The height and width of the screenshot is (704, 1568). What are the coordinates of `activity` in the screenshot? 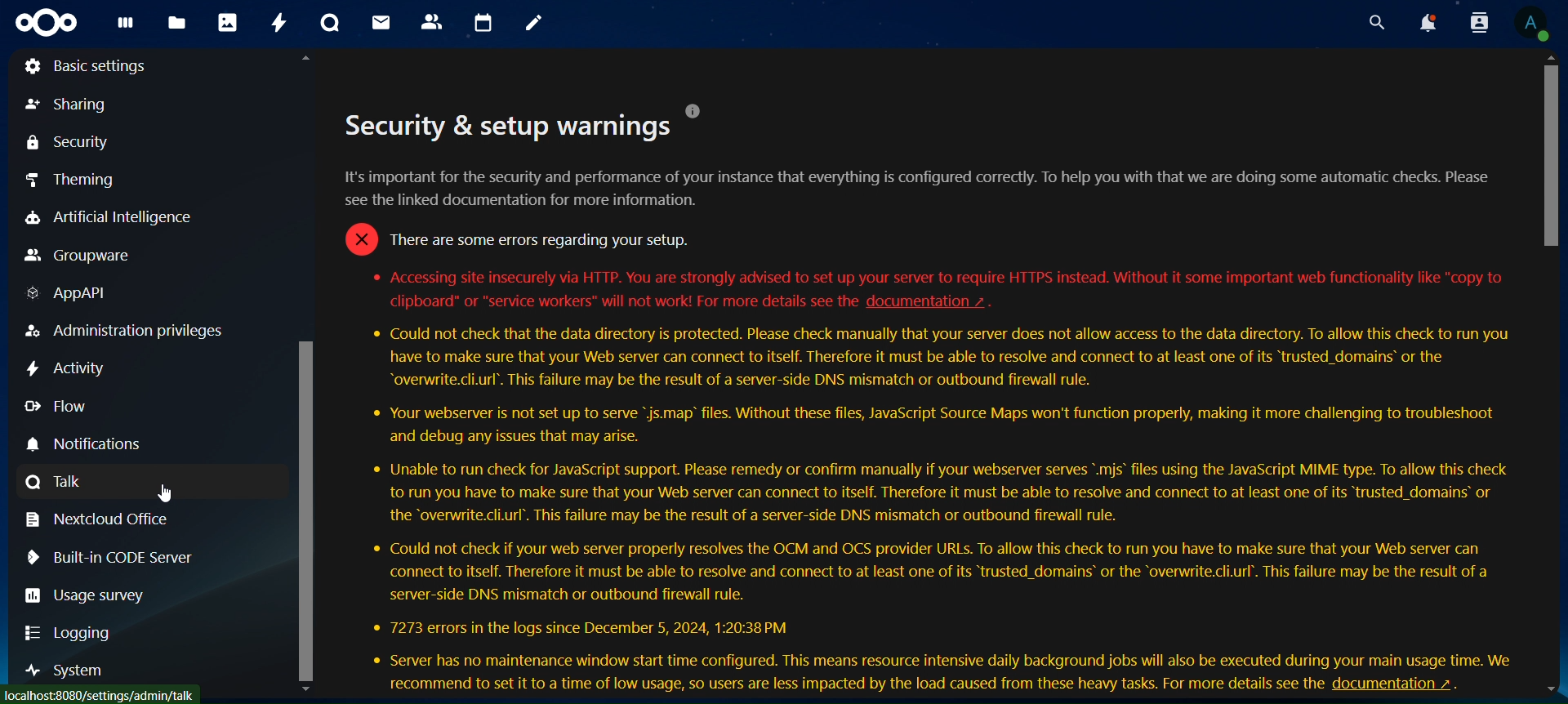 It's located at (66, 367).